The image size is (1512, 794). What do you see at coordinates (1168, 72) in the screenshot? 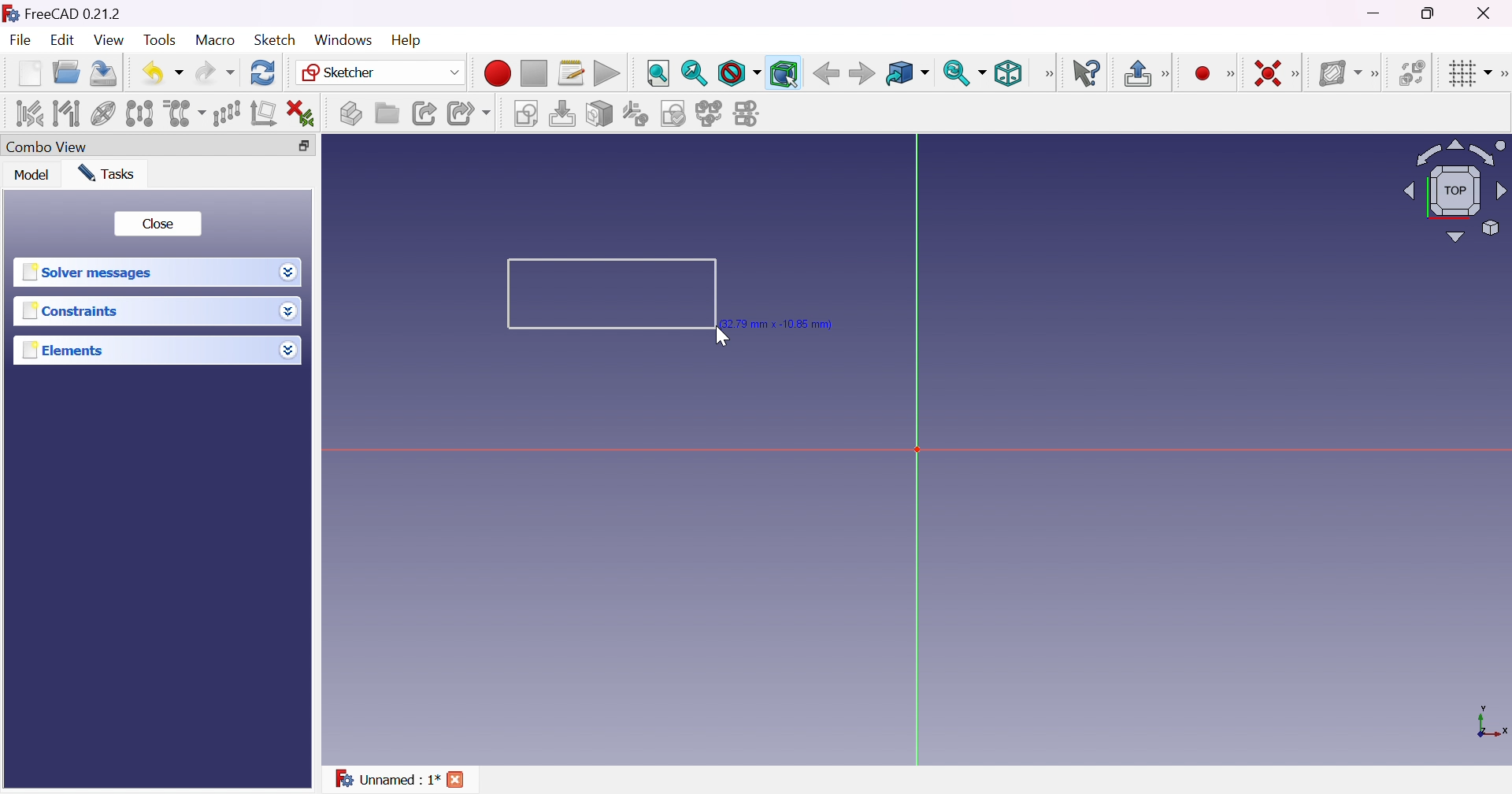
I see `[Sketcher edit mode]` at bounding box center [1168, 72].